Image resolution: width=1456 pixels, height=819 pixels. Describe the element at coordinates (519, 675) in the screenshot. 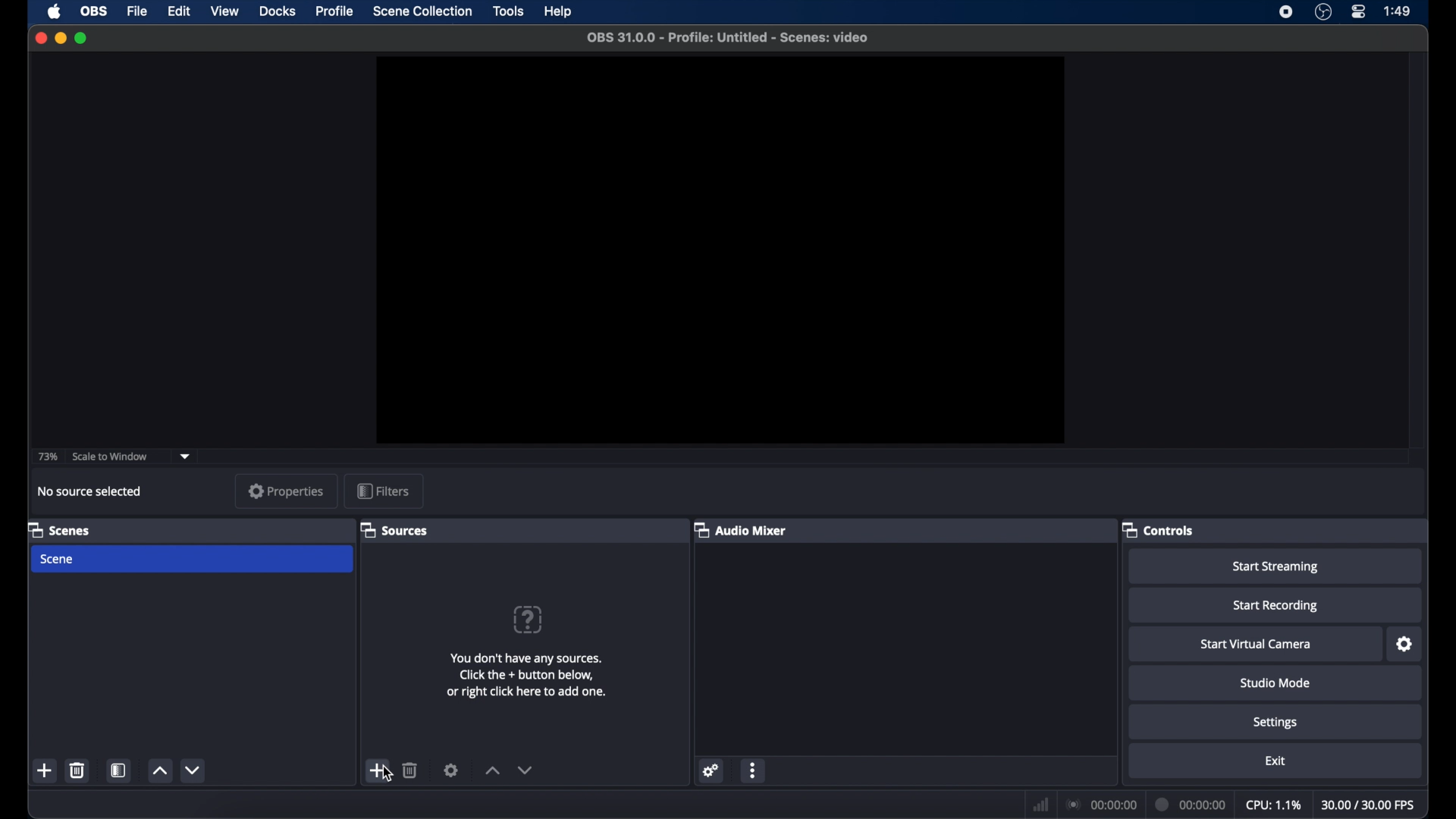

I see `‘You don't have any sources.
Click the + button below,
or right click here to add one.` at that location.